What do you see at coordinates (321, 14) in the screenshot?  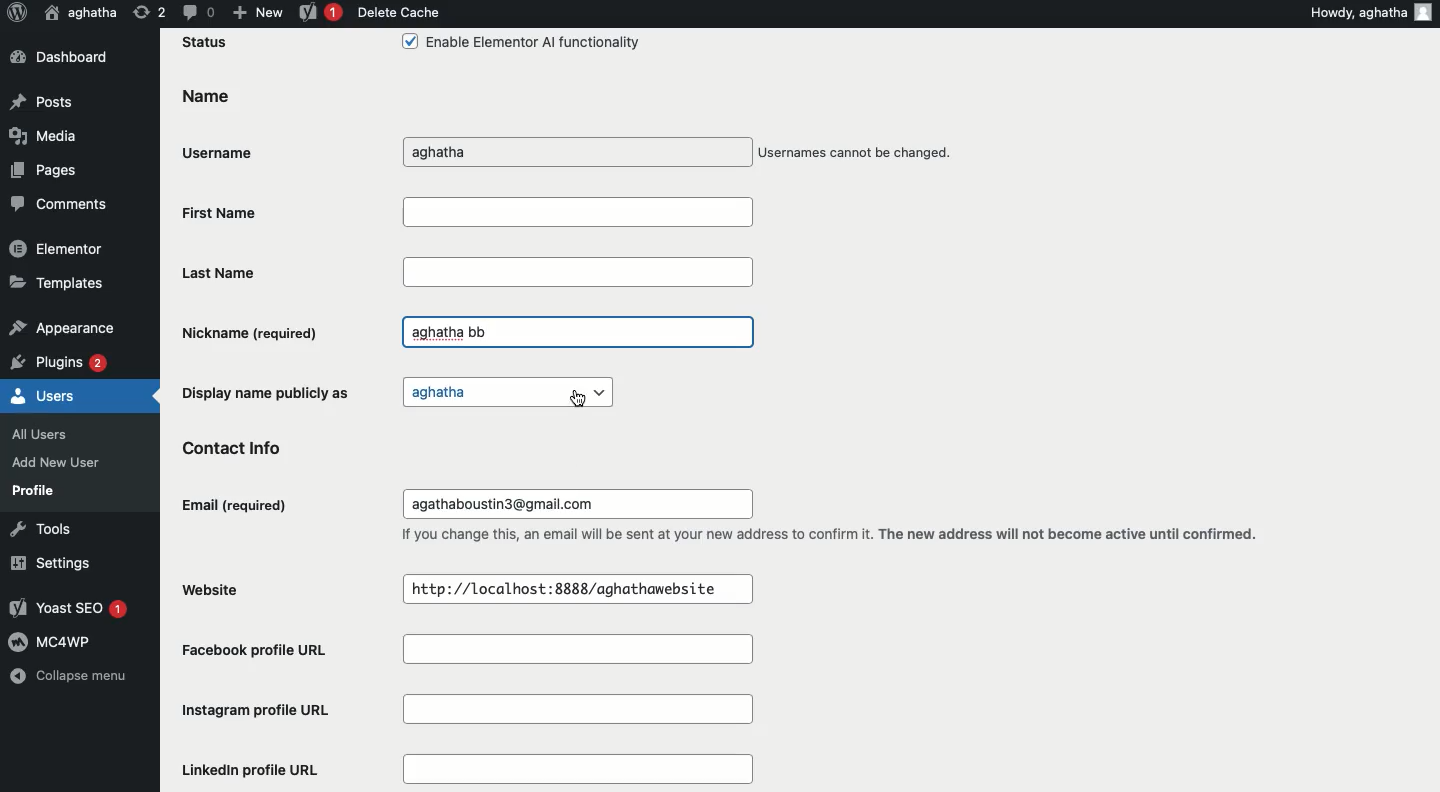 I see `Yoast` at bounding box center [321, 14].